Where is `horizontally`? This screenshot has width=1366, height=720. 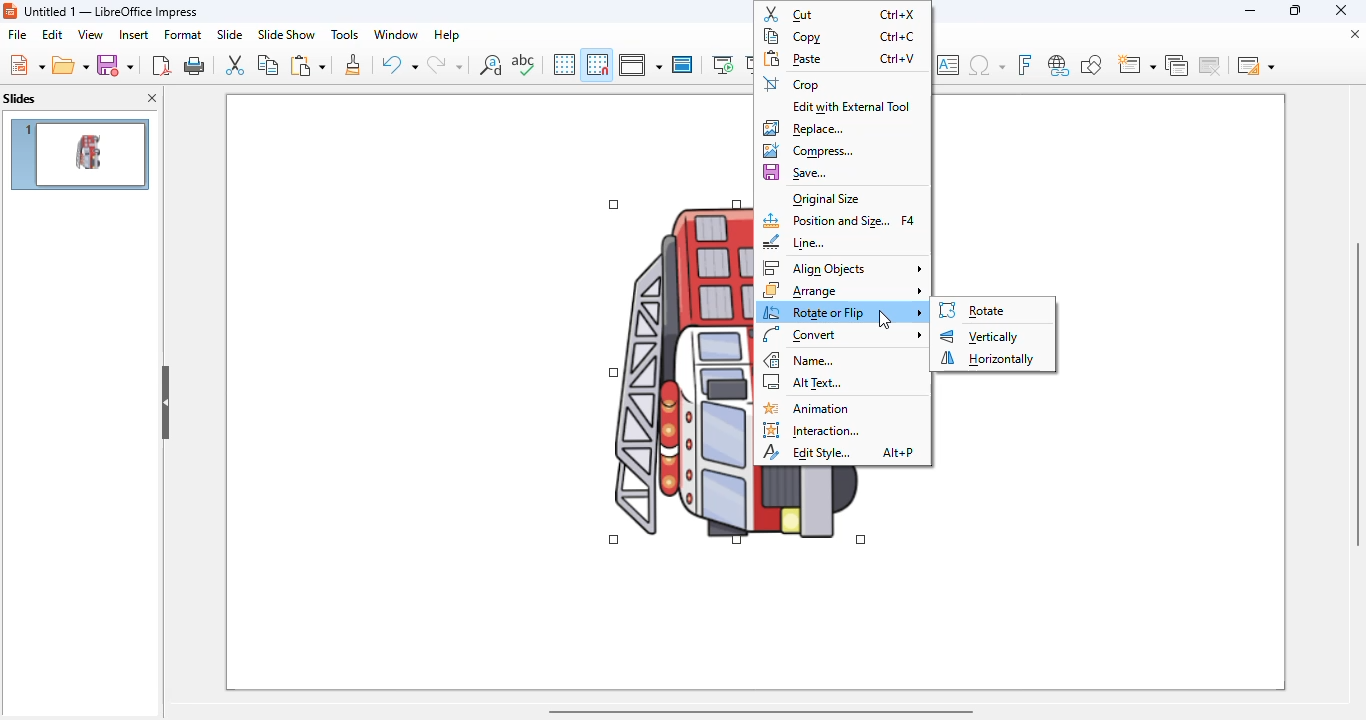
horizontally is located at coordinates (988, 358).